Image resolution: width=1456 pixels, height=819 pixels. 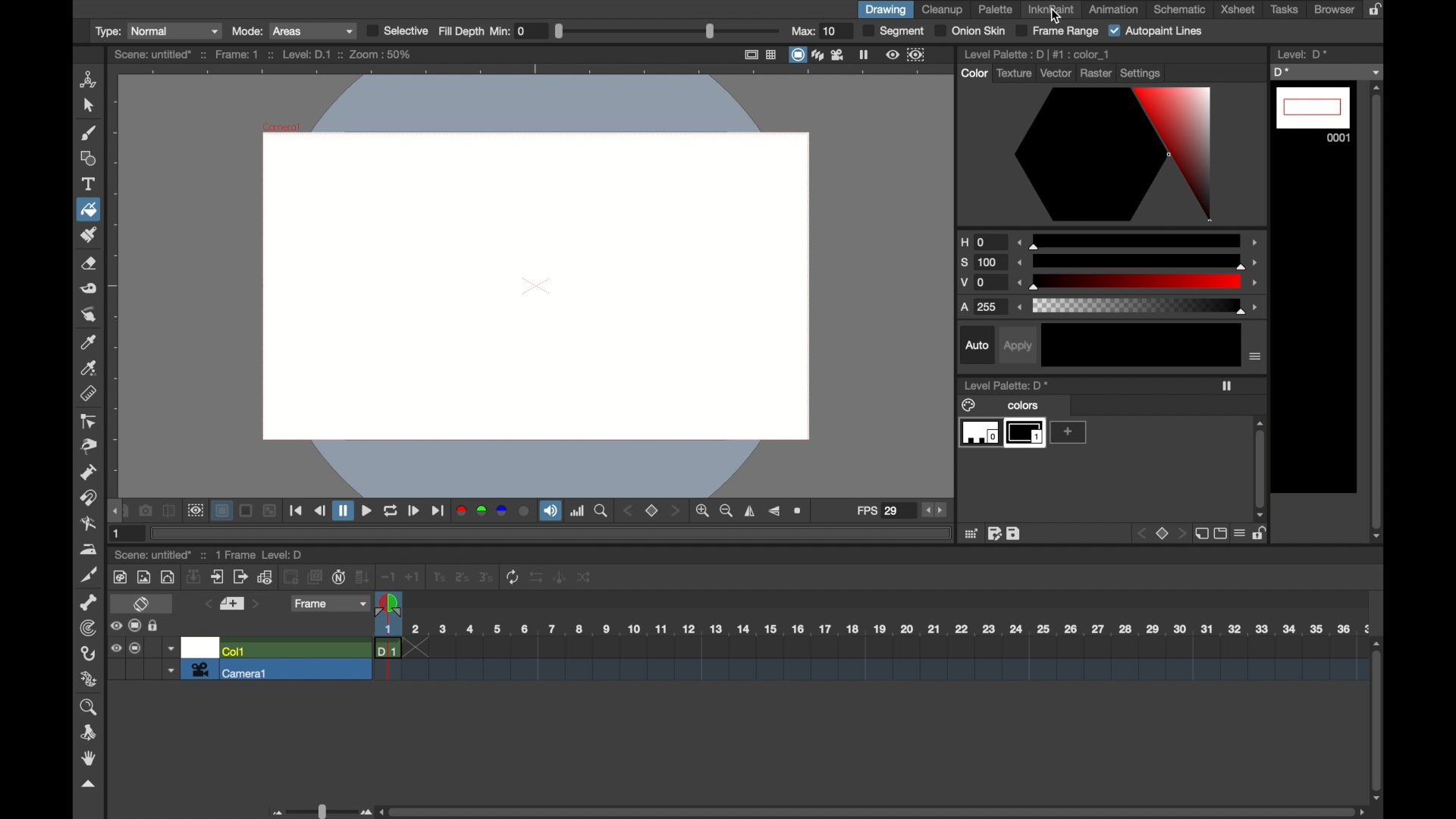 I want to click on snapshot, so click(x=144, y=511).